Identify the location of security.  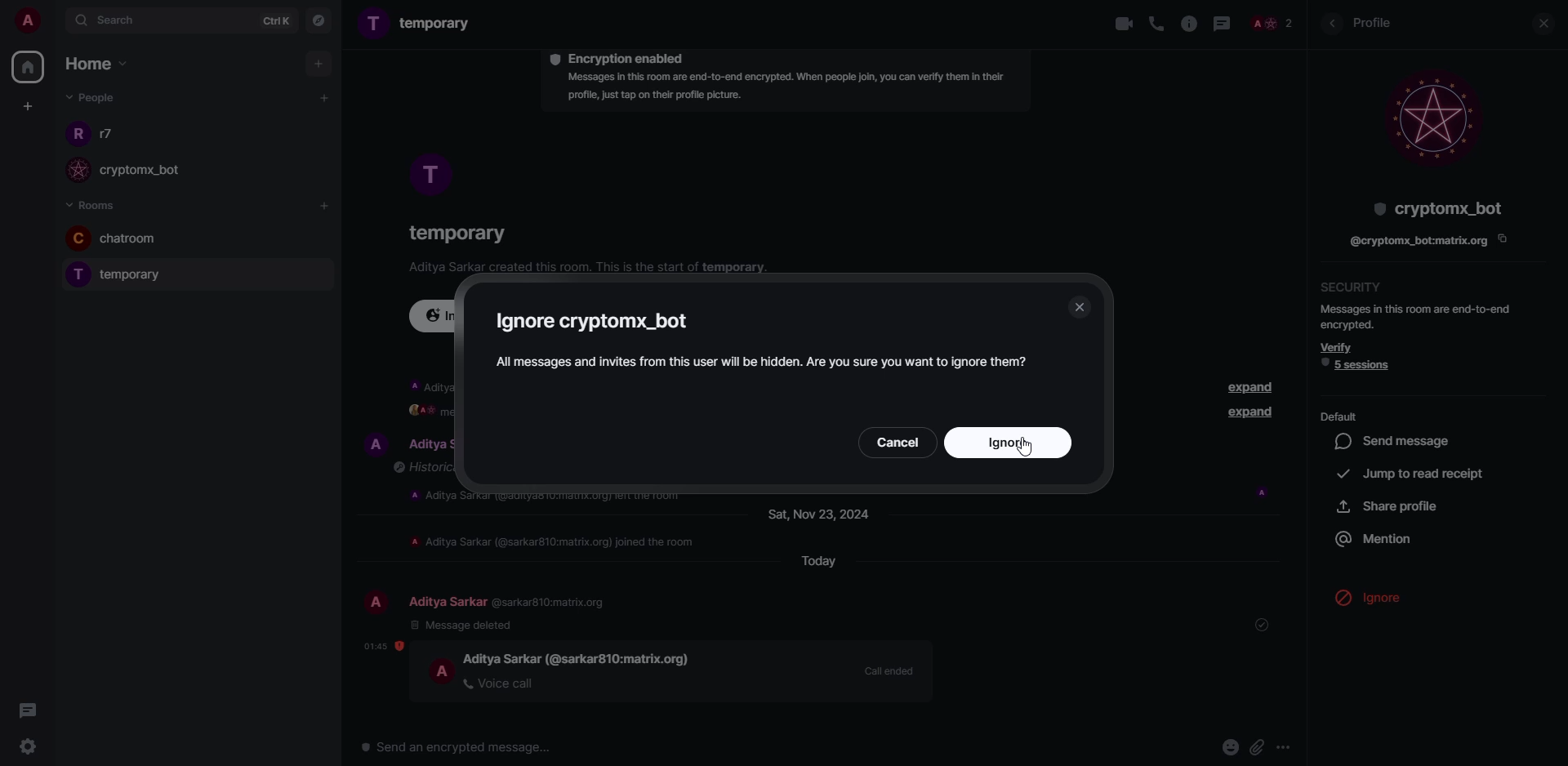
(1356, 287).